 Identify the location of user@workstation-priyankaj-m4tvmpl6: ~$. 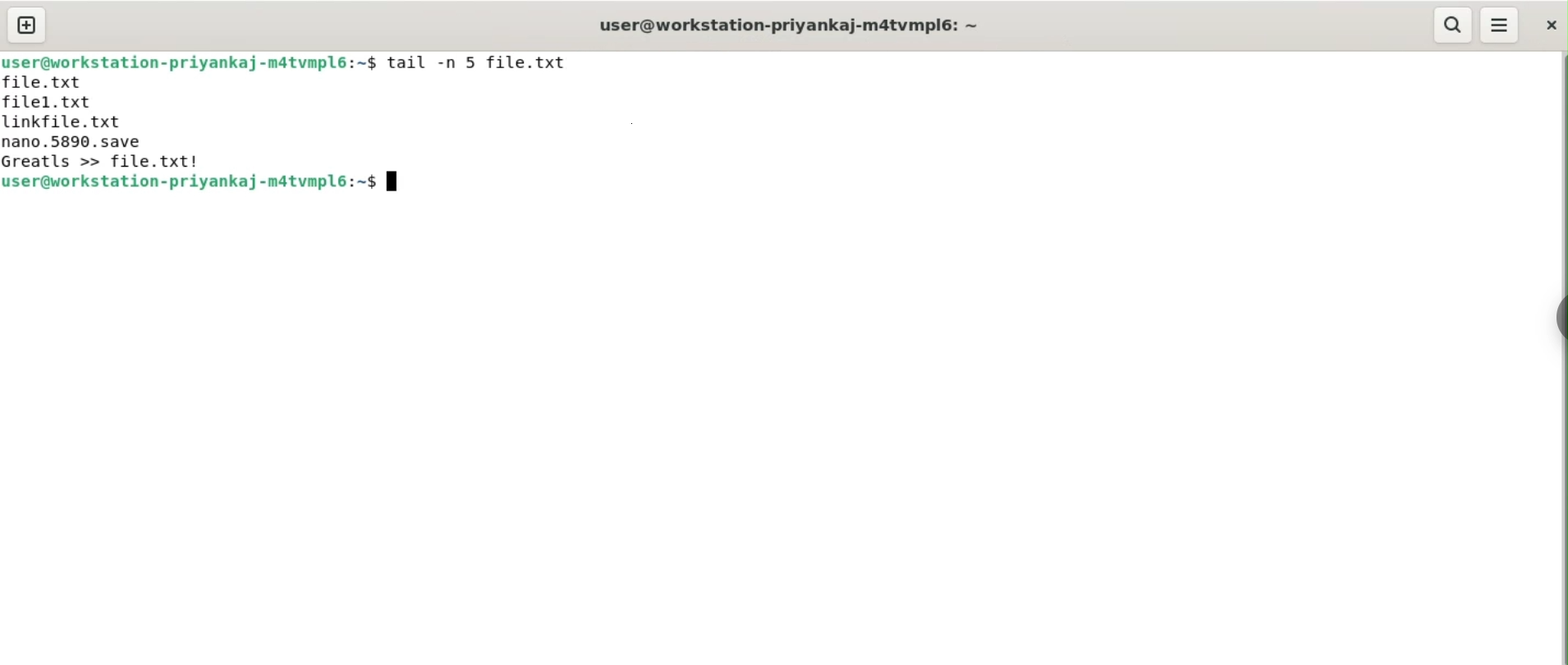
(204, 182).